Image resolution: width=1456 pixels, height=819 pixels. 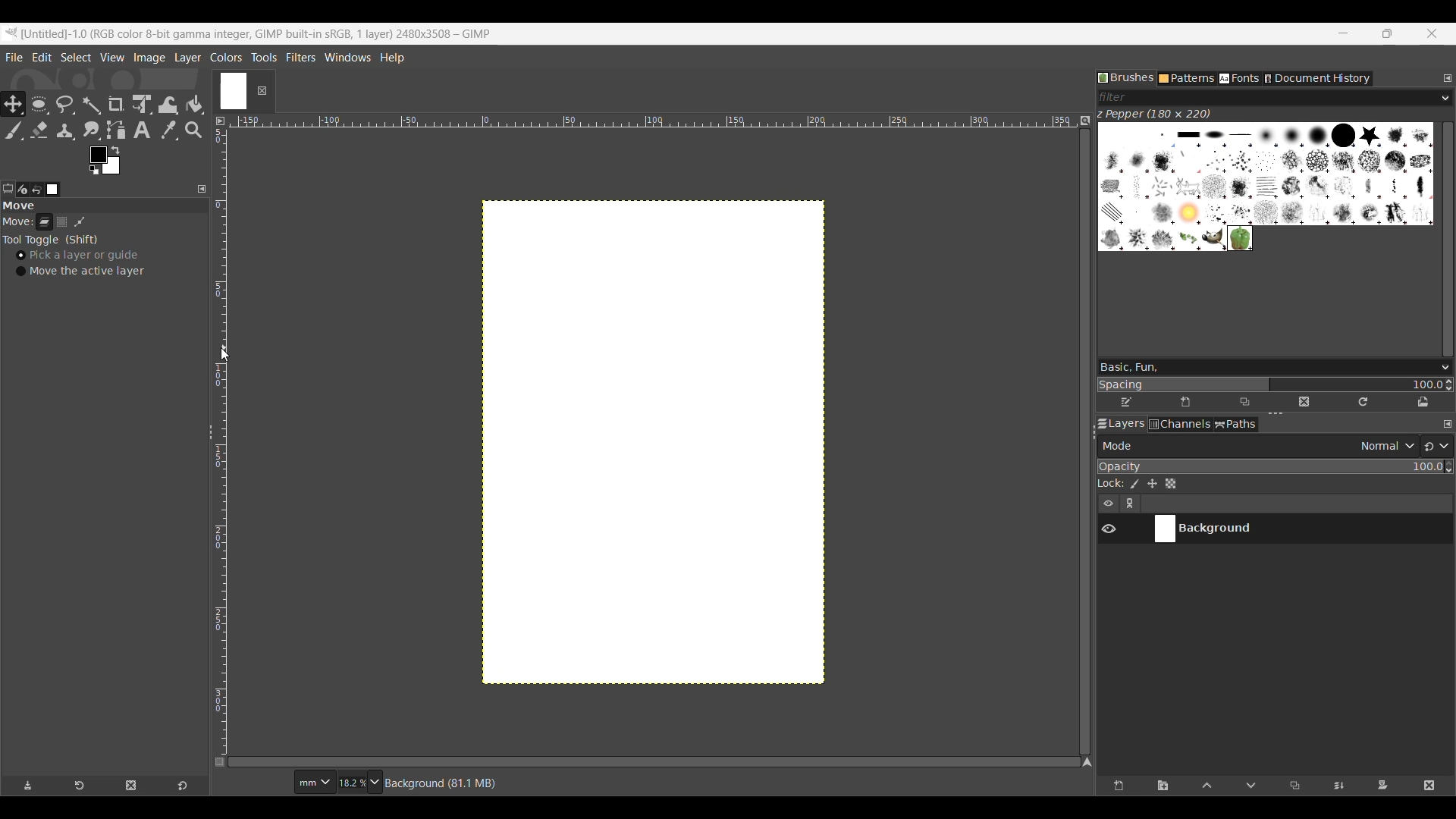 I want to click on Restore tool preset, so click(x=80, y=786).